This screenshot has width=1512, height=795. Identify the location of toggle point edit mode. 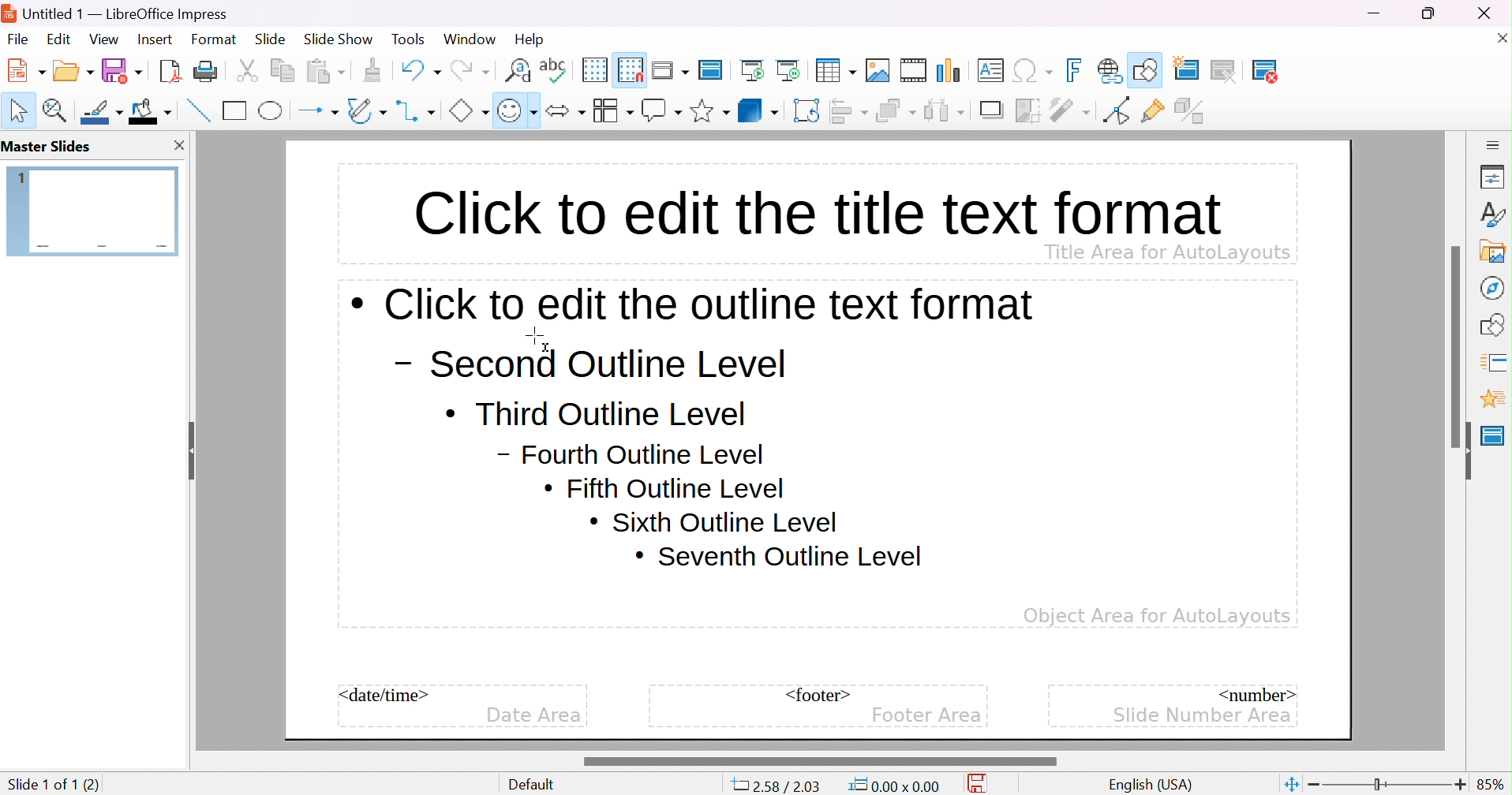
(1115, 110).